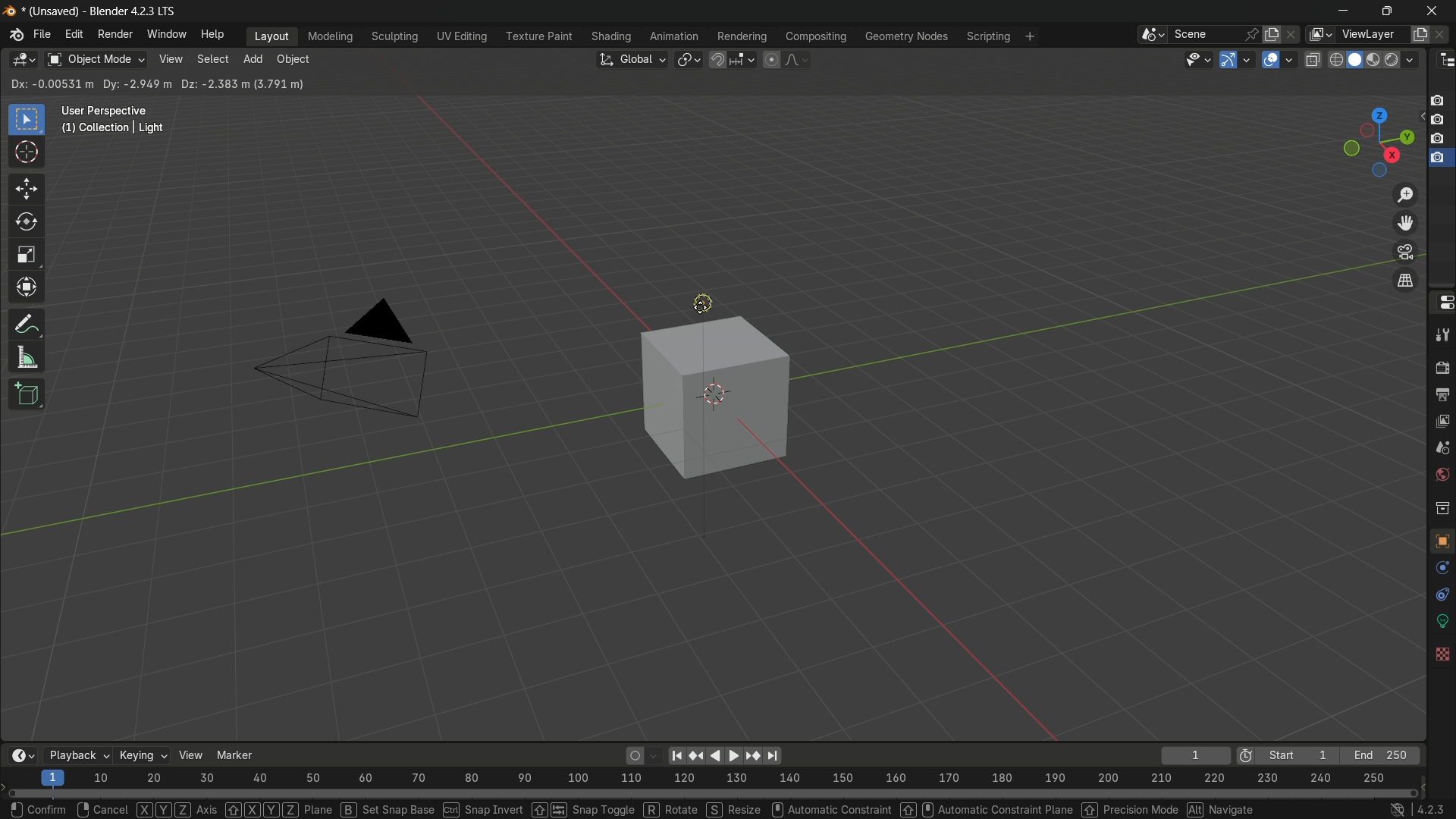 The image size is (1456, 819). I want to click on switch current view, so click(1402, 280).